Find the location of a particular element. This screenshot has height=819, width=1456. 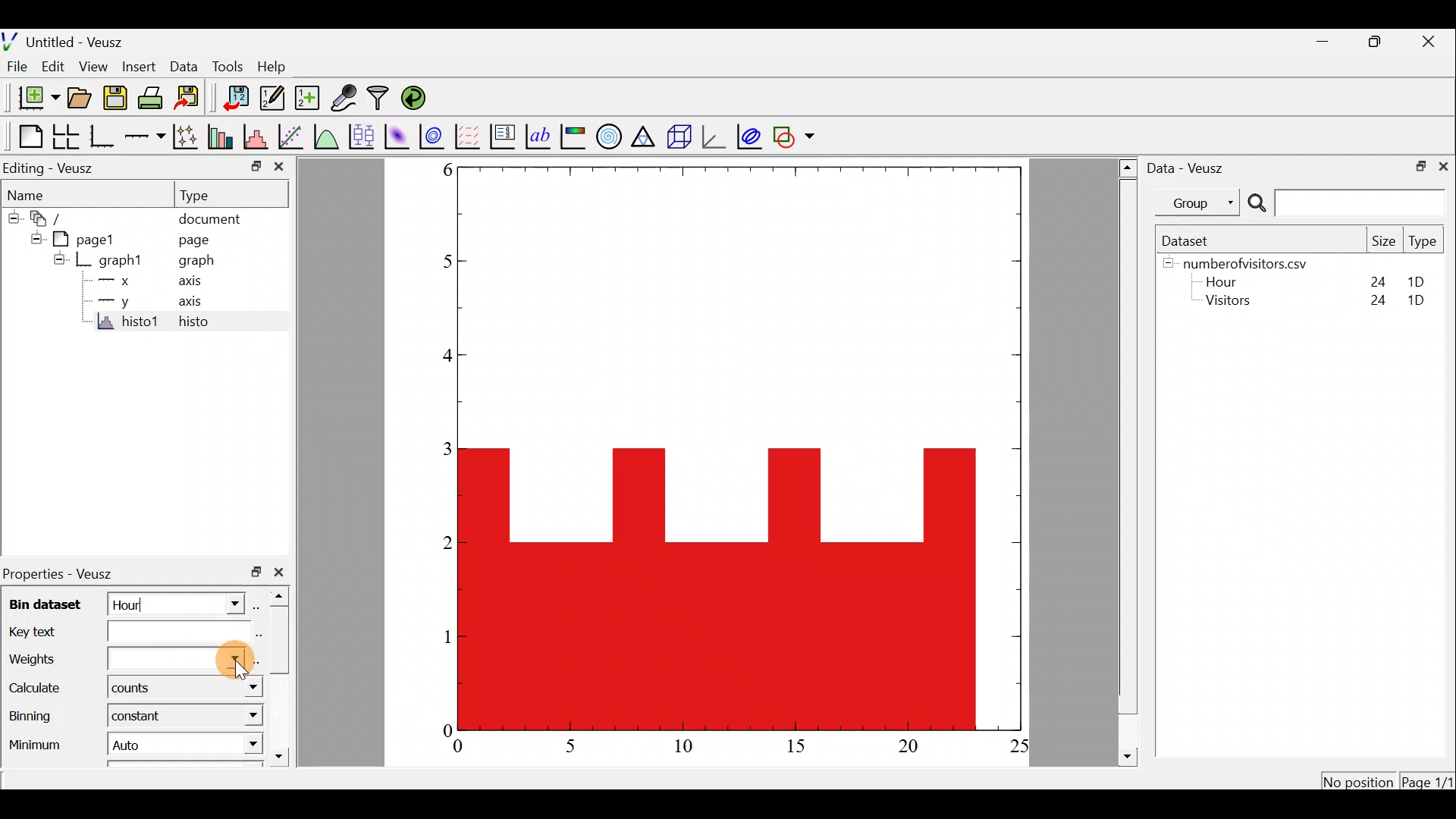

Binning dropdown is located at coordinates (228, 714).